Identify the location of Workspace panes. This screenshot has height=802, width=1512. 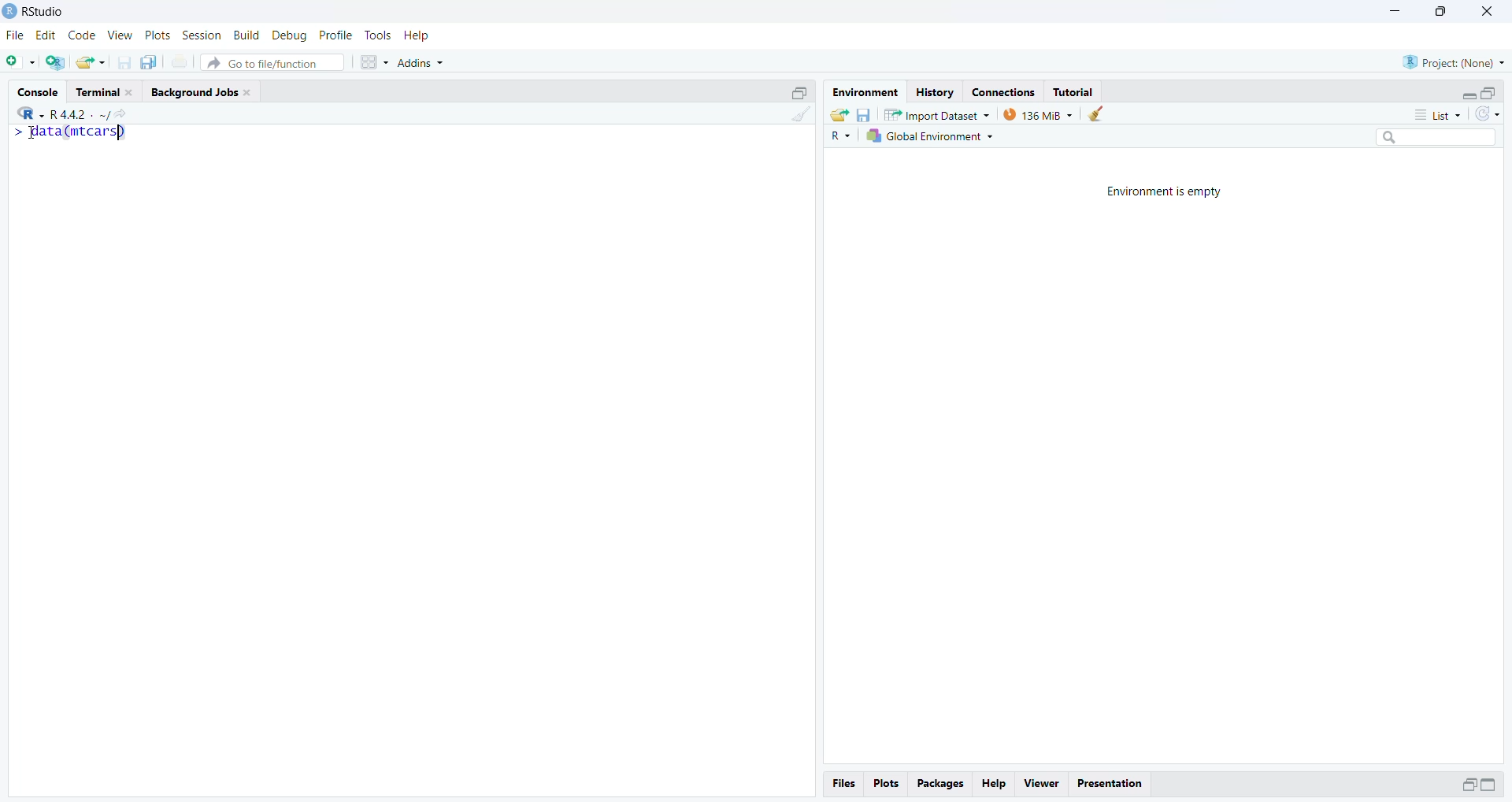
(373, 61).